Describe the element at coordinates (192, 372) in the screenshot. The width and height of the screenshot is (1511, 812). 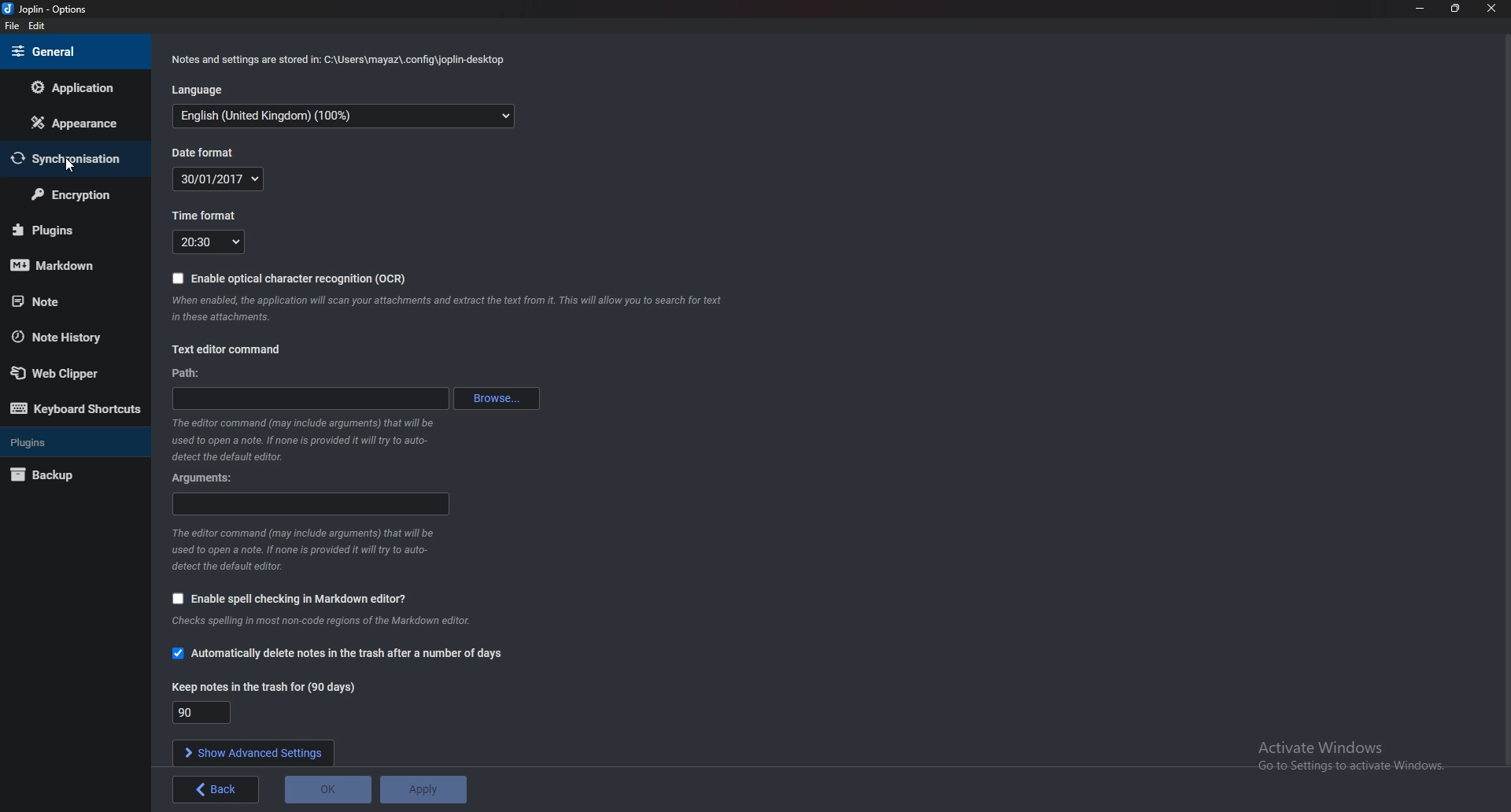
I see `path` at that location.